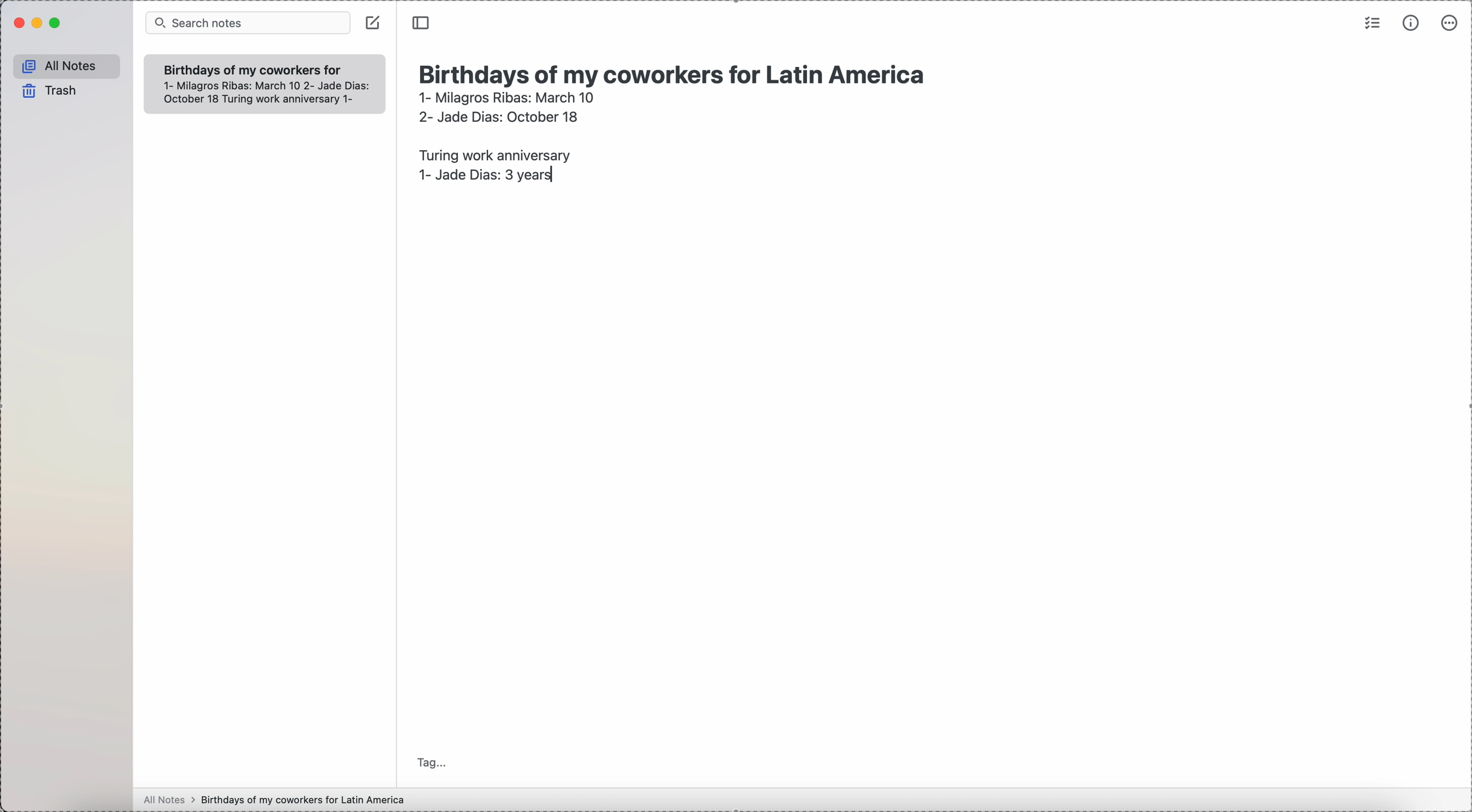 Image resolution: width=1472 pixels, height=812 pixels. Describe the element at coordinates (1371, 22) in the screenshot. I see `check list` at that location.